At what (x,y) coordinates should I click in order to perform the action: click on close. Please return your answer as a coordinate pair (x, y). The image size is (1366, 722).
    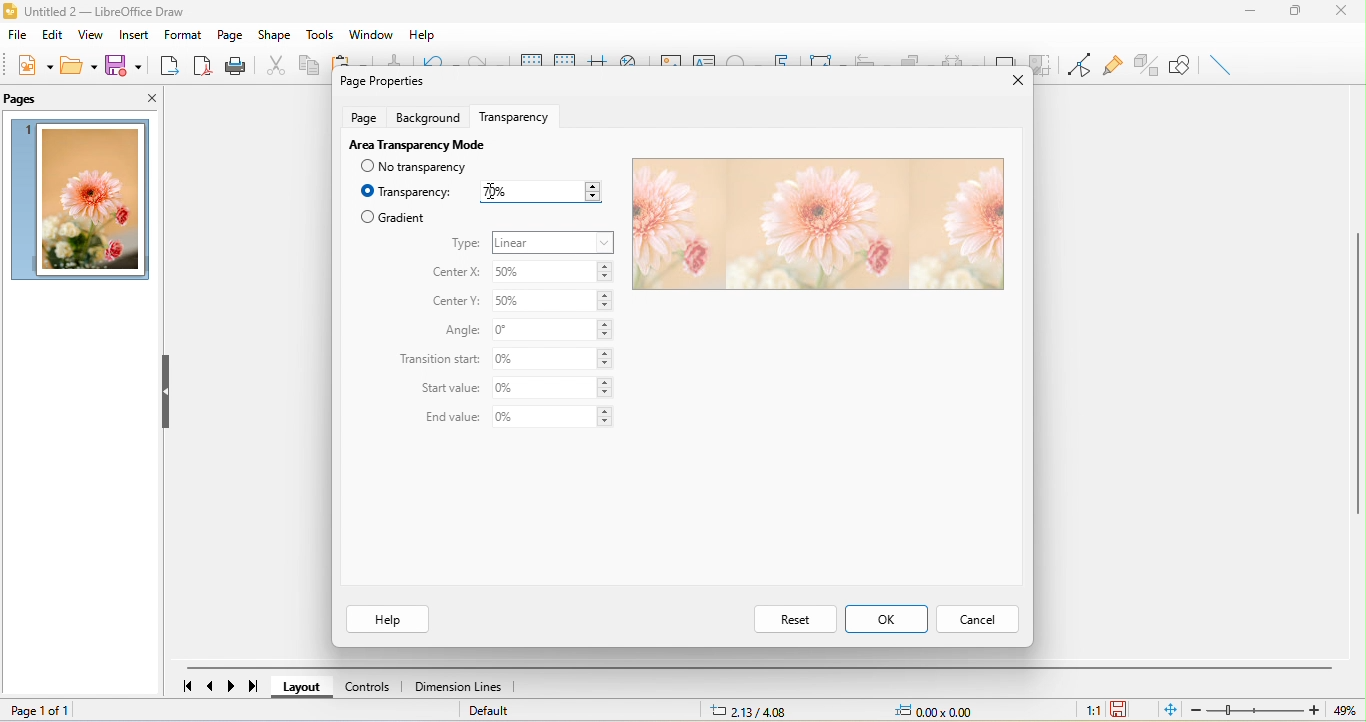
    Looking at the image, I should click on (1011, 82).